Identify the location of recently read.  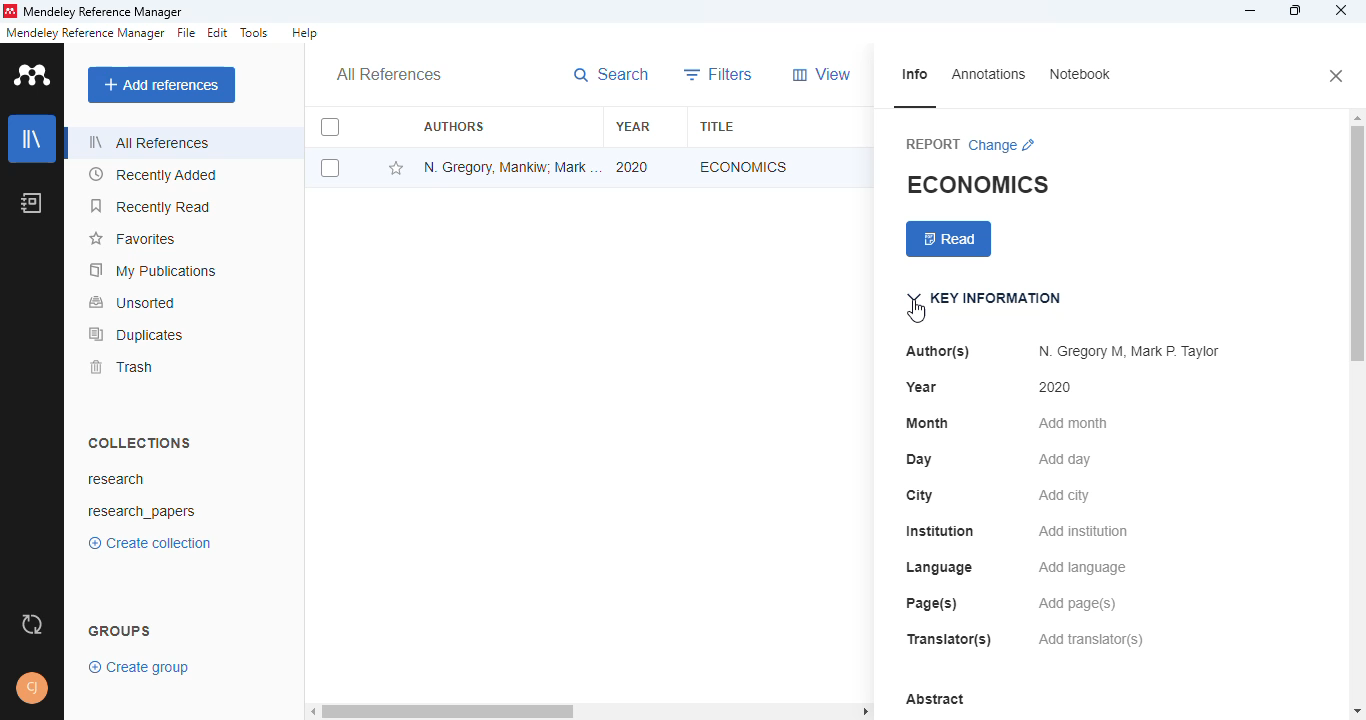
(149, 206).